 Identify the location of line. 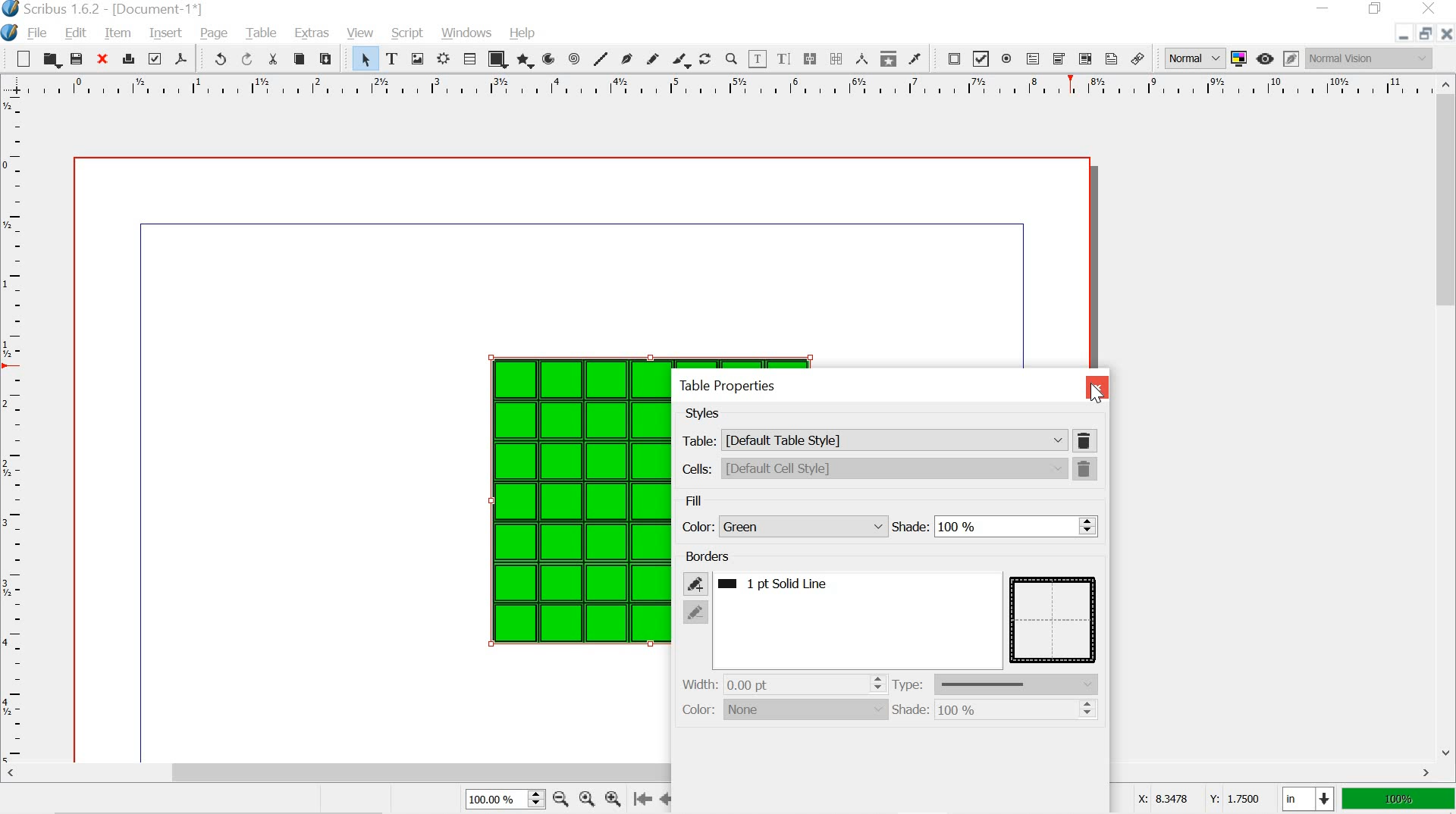
(602, 56).